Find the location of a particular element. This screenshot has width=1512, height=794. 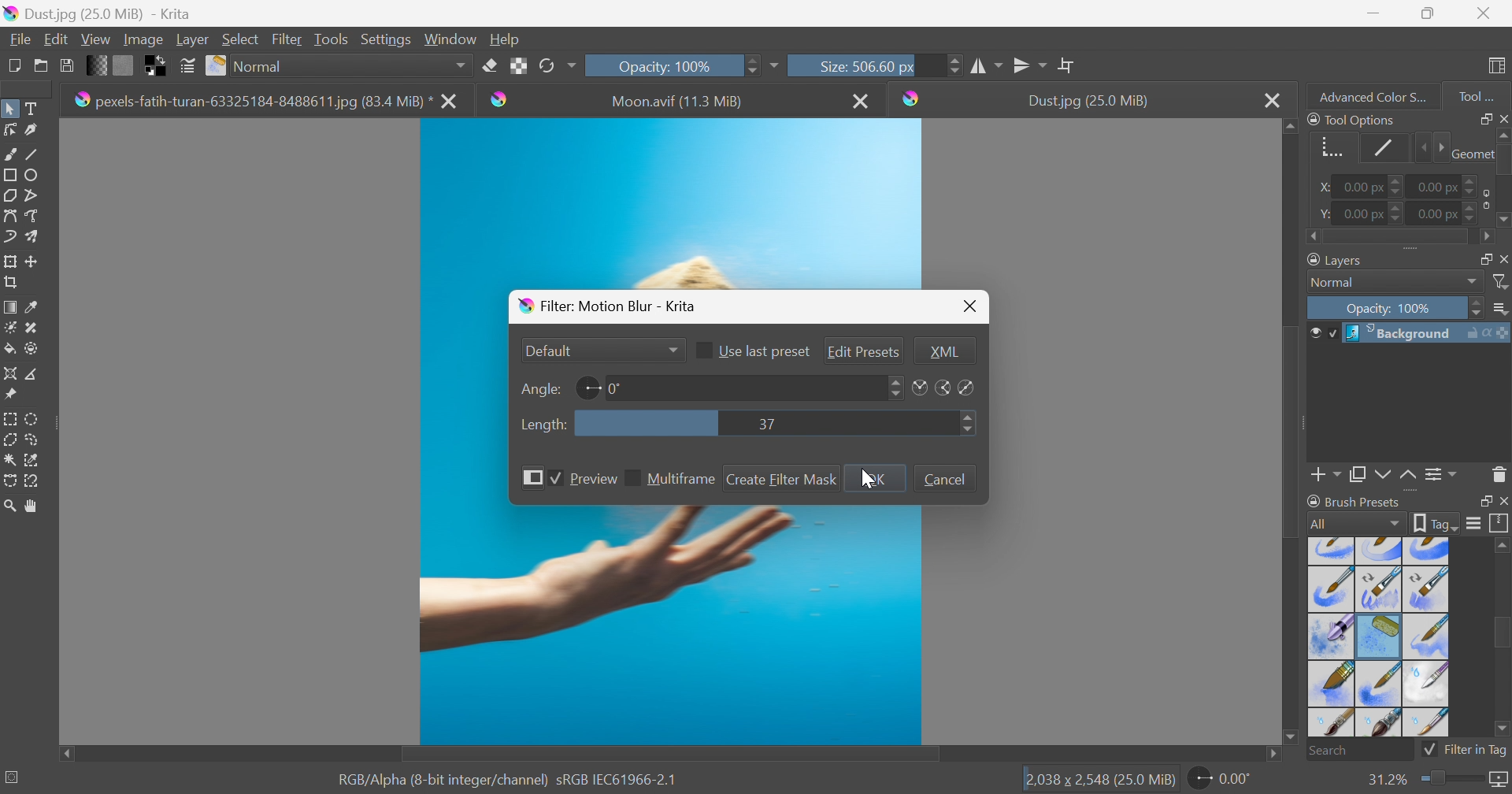

Slider is located at coordinates (1472, 181).